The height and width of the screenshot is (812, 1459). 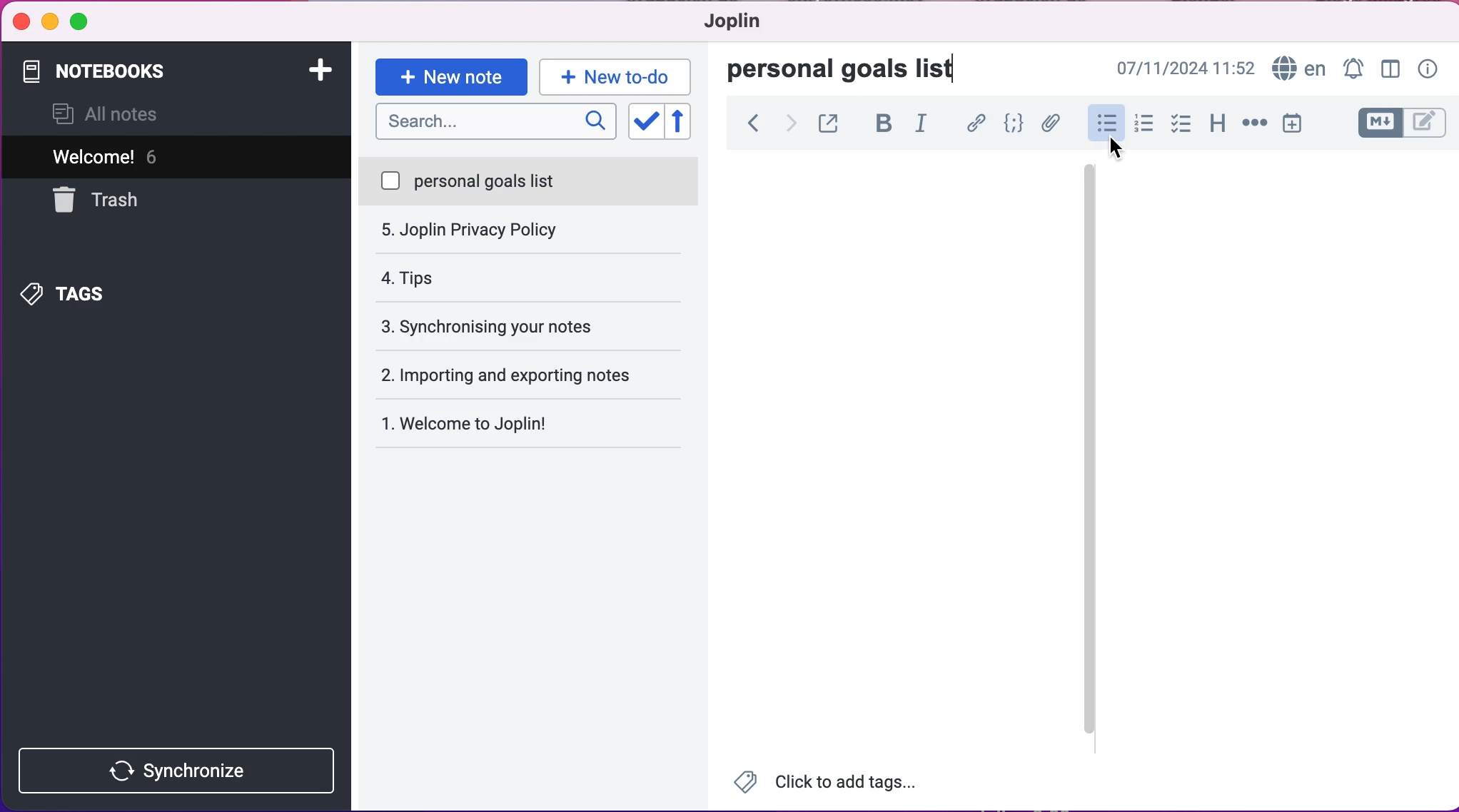 What do you see at coordinates (620, 76) in the screenshot?
I see `new to-do` at bounding box center [620, 76].